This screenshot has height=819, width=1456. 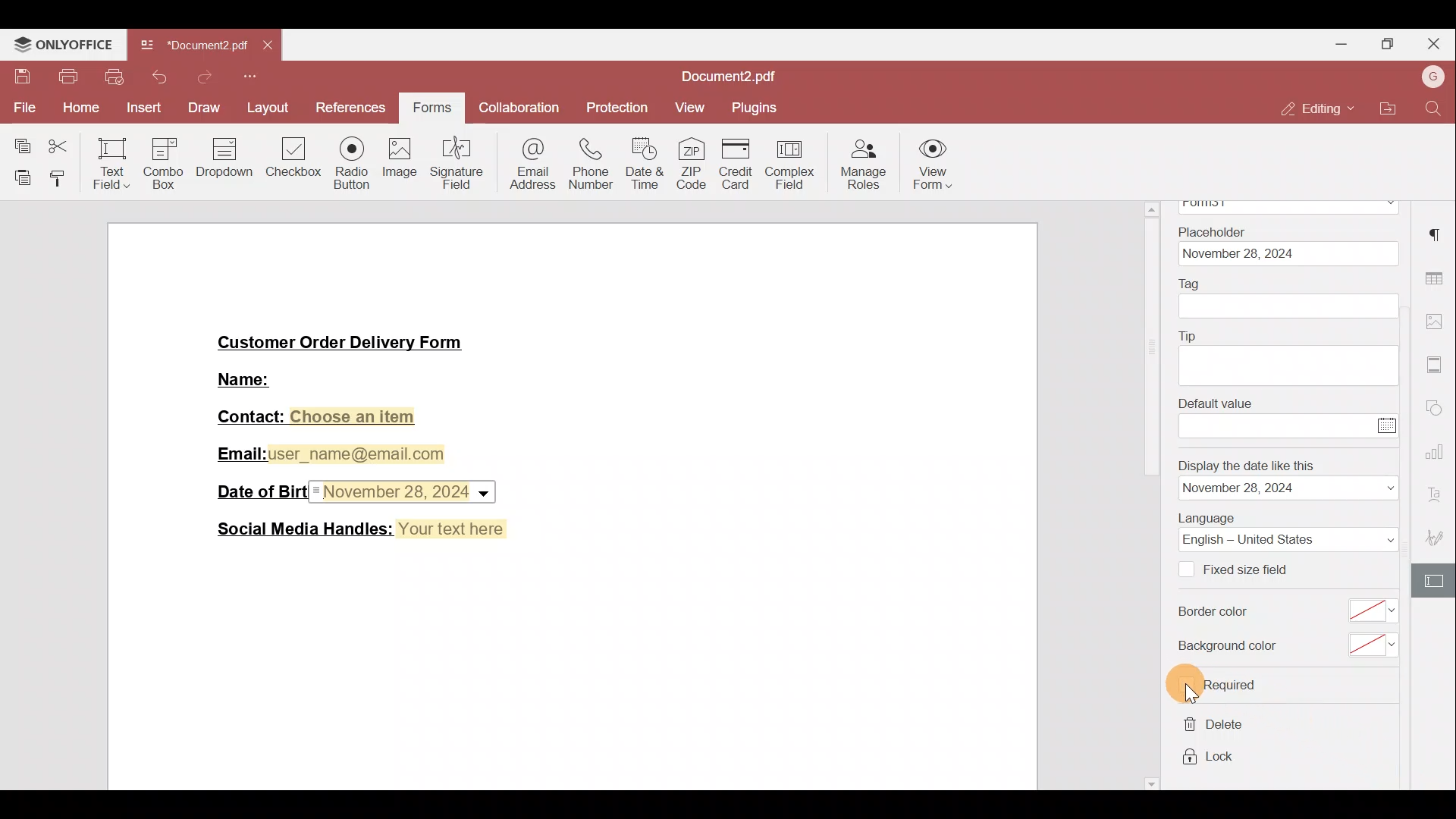 I want to click on Forms, so click(x=430, y=109).